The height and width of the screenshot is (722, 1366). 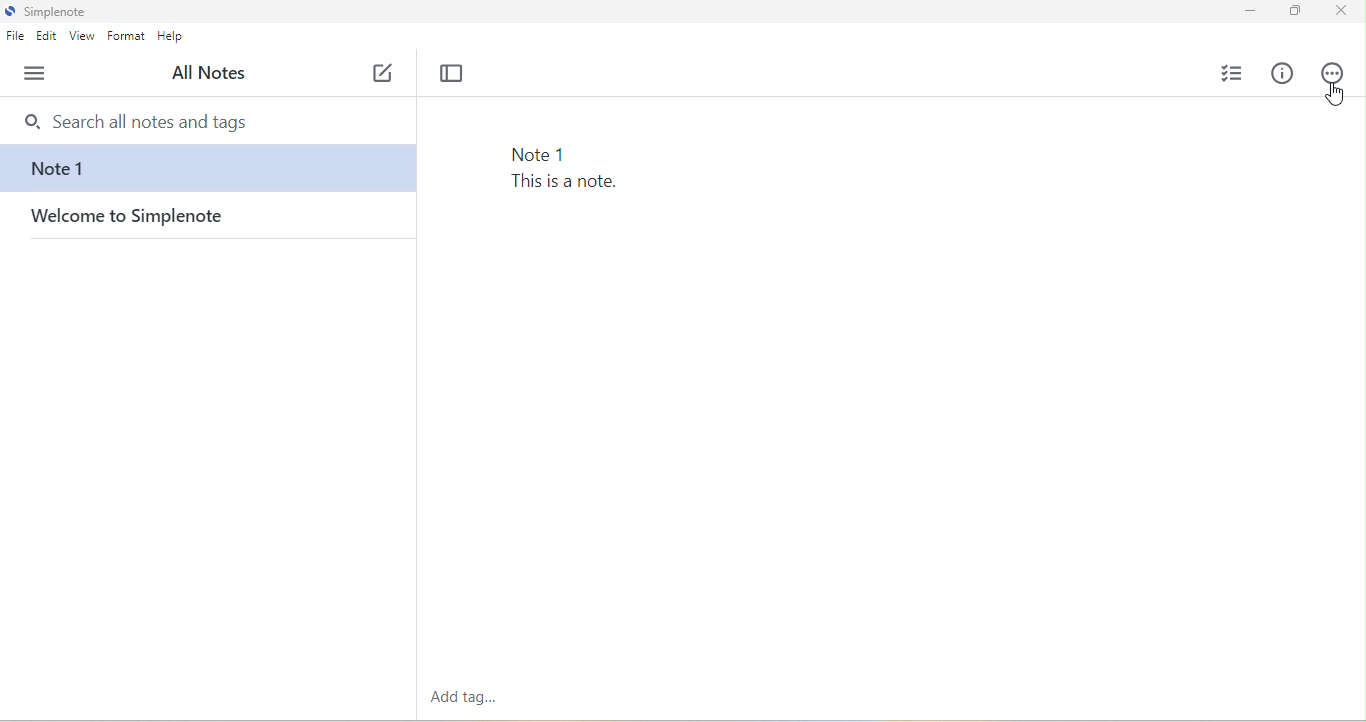 I want to click on welcome to simplenote, so click(x=210, y=221).